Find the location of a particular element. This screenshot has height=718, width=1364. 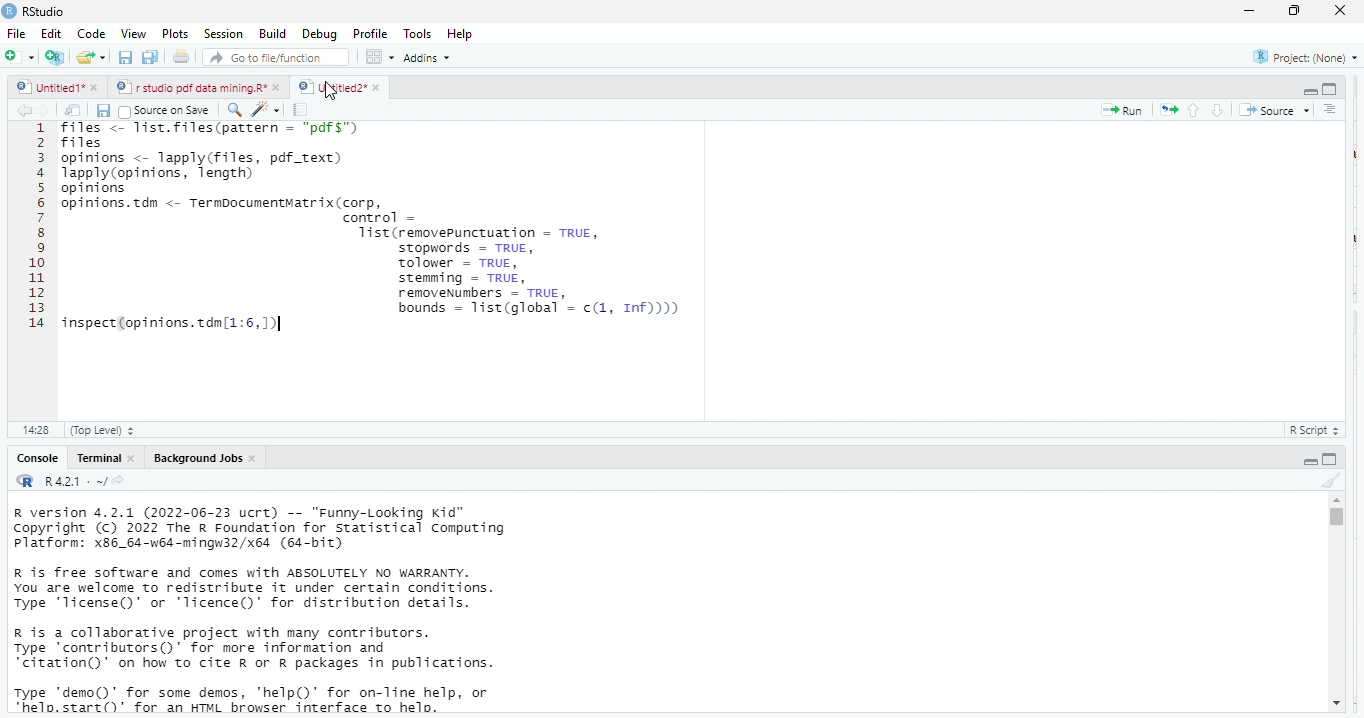

background jobs is located at coordinates (193, 458).